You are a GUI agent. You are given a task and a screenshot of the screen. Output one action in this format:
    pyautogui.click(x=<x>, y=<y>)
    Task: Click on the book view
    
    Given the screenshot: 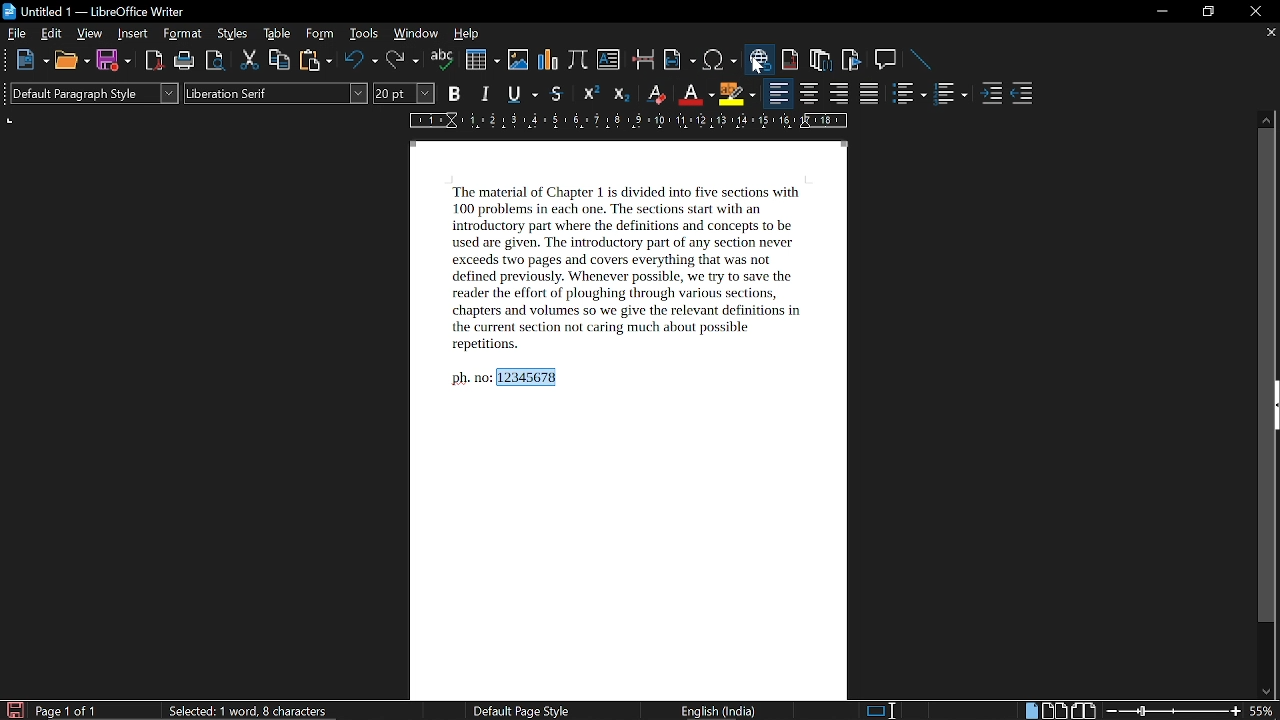 What is the action you would take?
    pyautogui.click(x=1086, y=710)
    